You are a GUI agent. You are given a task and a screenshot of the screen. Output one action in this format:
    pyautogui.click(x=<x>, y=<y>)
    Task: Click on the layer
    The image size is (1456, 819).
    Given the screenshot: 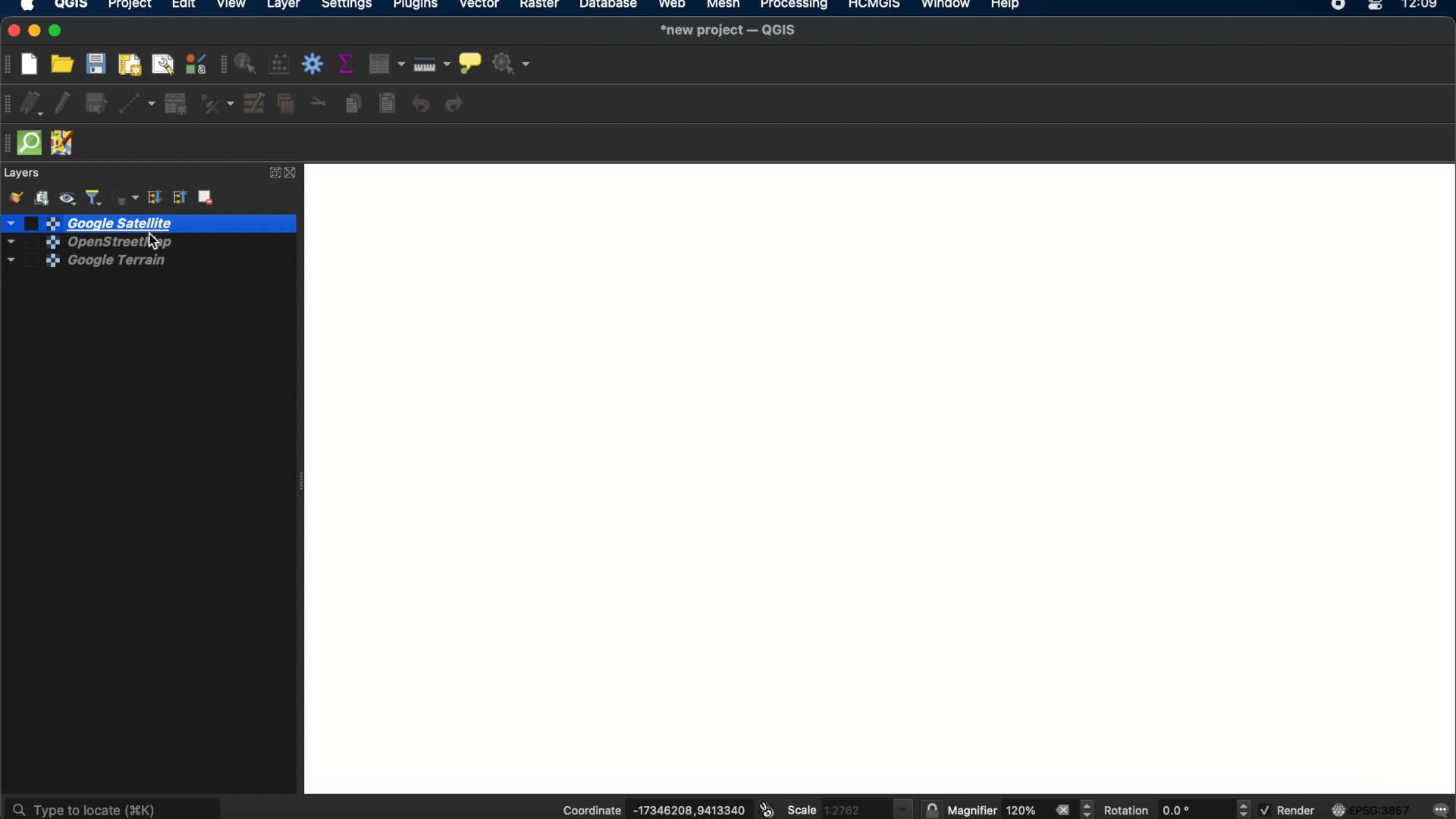 What is the action you would take?
    pyautogui.click(x=284, y=6)
    